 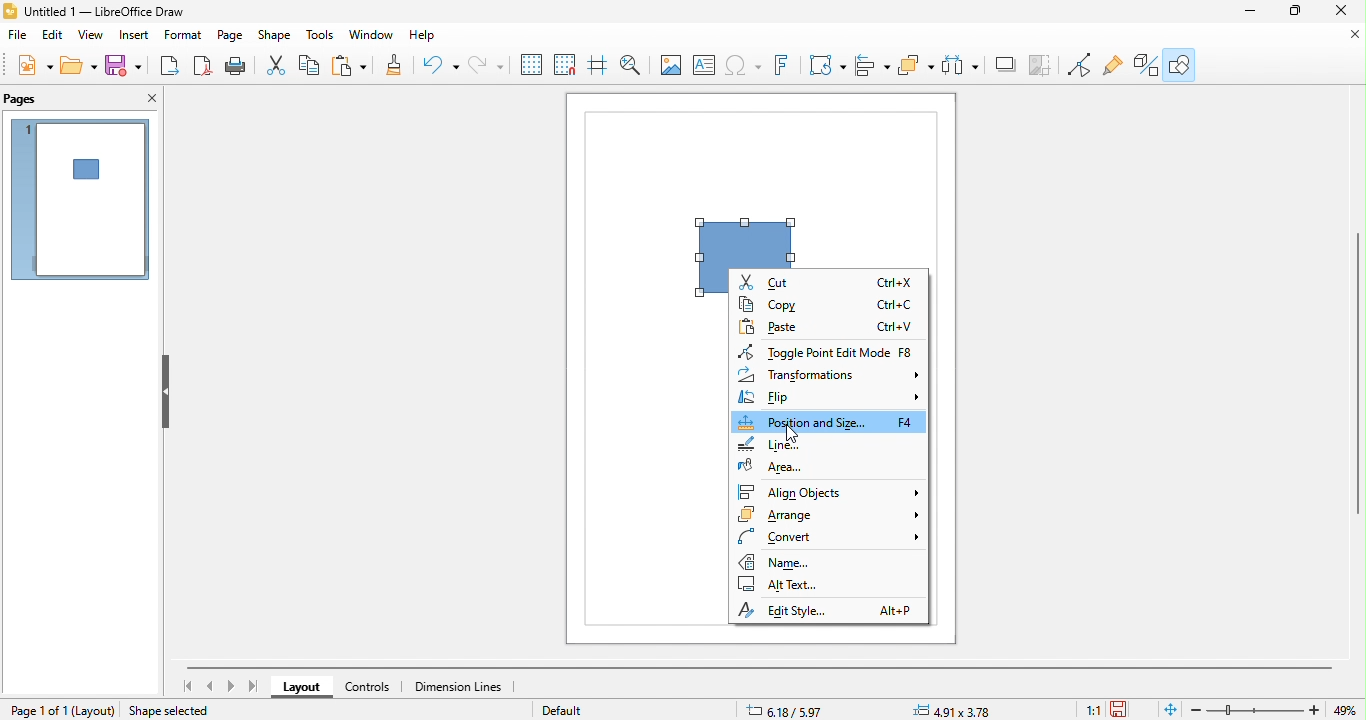 What do you see at coordinates (1252, 11) in the screenshot?
I see `minimize` at bounding box center [1252, 11].